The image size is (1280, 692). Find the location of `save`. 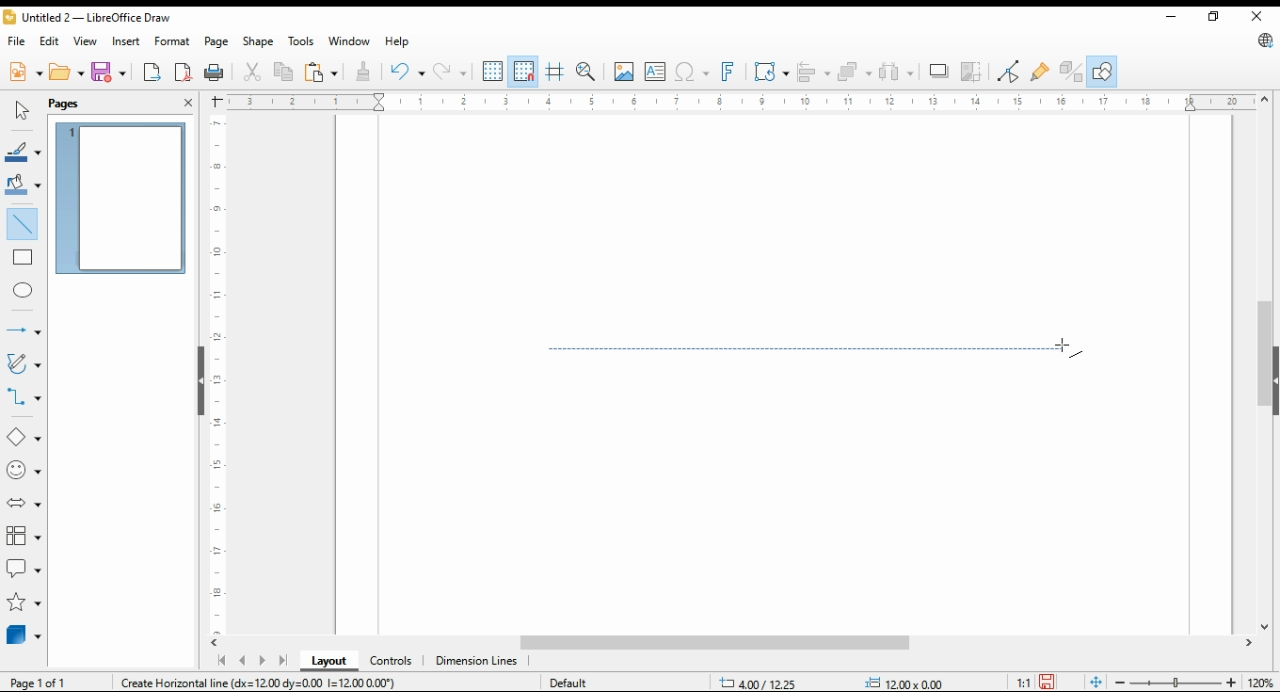

save is located at coordinates (107, 71).